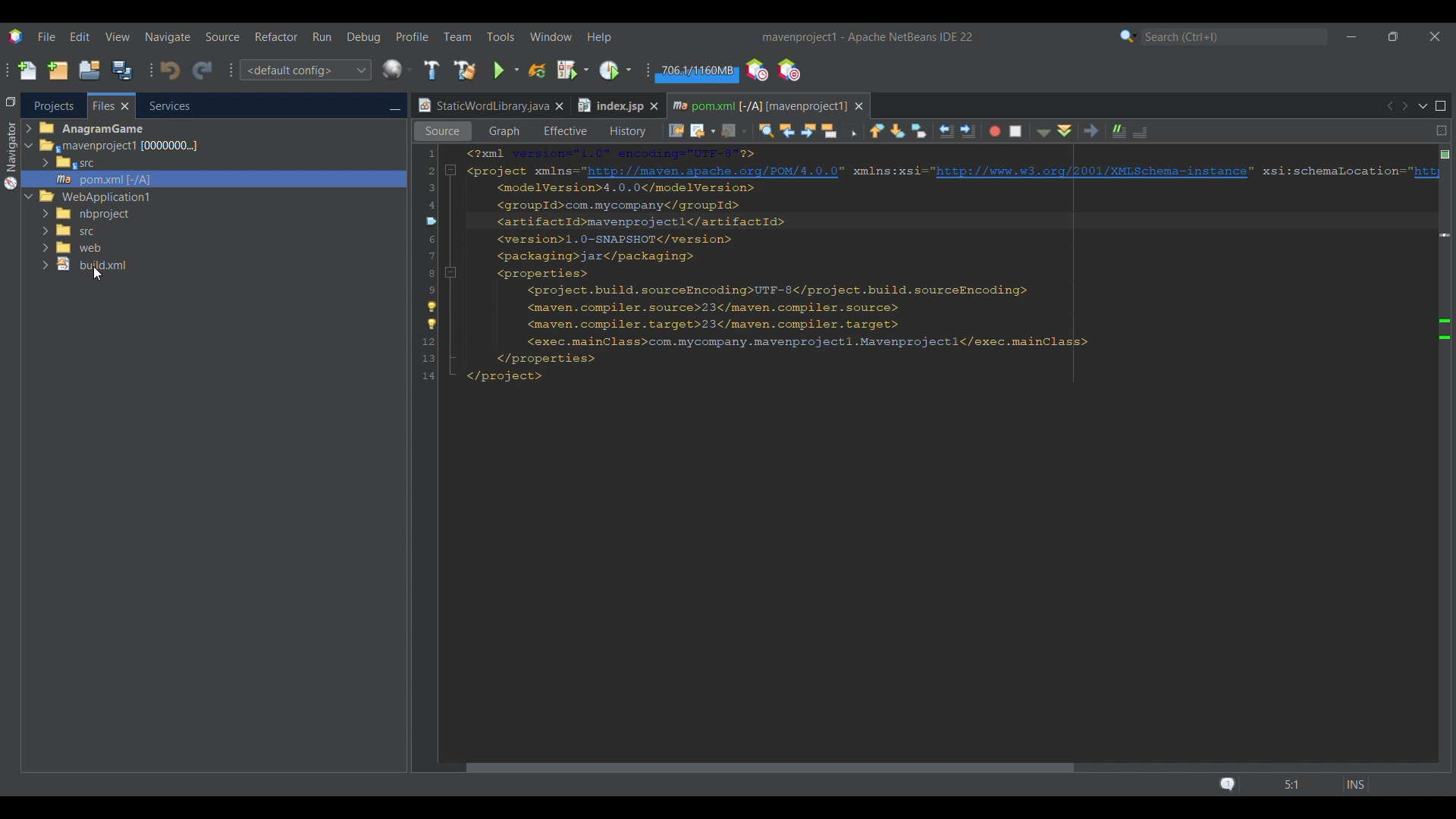 This screenshot has width=1456, height=819. Describe the element at coordinates (431, 317) in the screenshot. I see `Convert to release option for strict compatibility checks` at that location.